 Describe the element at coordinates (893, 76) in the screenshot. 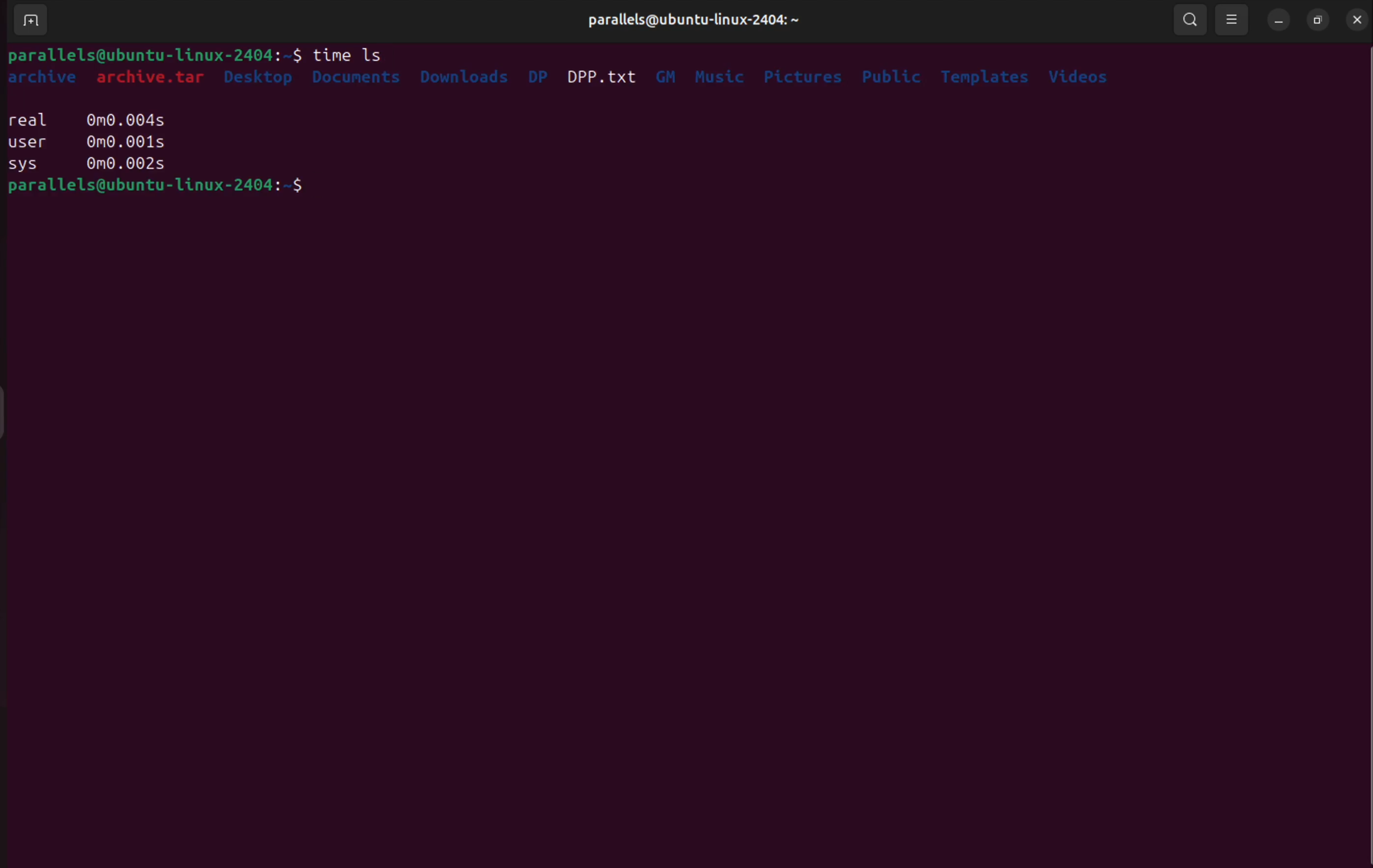

I see `Public` at that location.